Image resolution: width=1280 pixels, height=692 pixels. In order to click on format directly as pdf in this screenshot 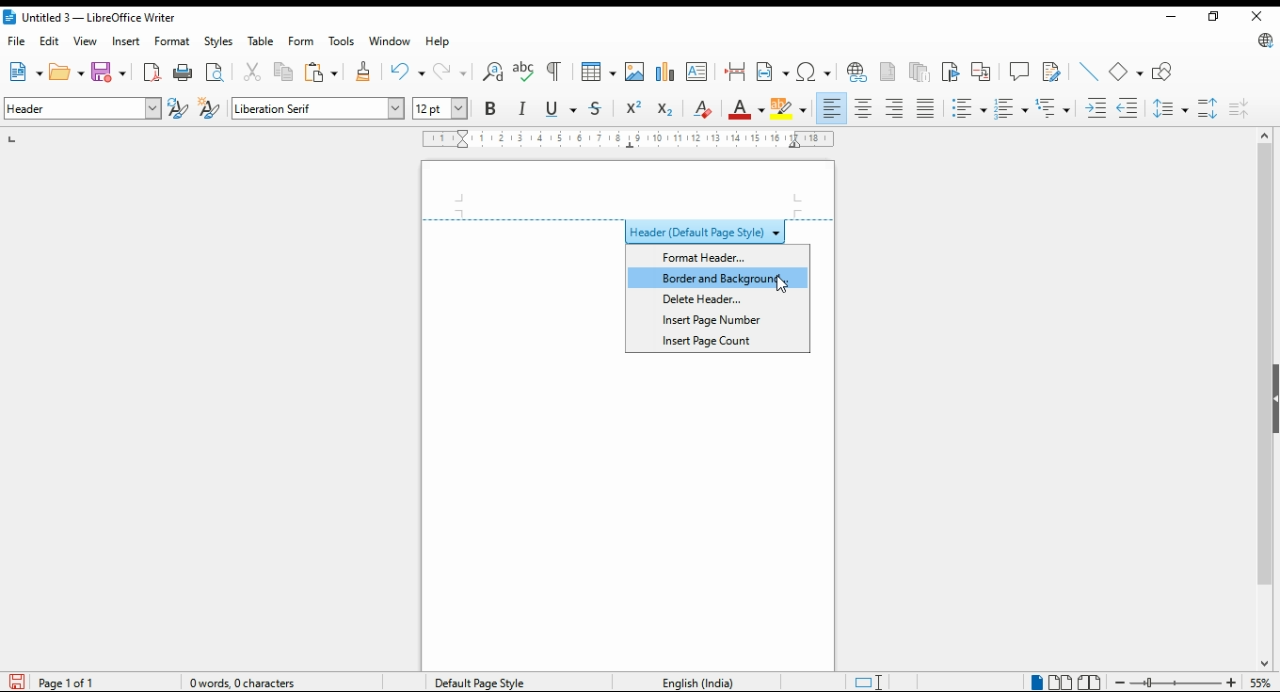, I will do `click(153, 72)`.